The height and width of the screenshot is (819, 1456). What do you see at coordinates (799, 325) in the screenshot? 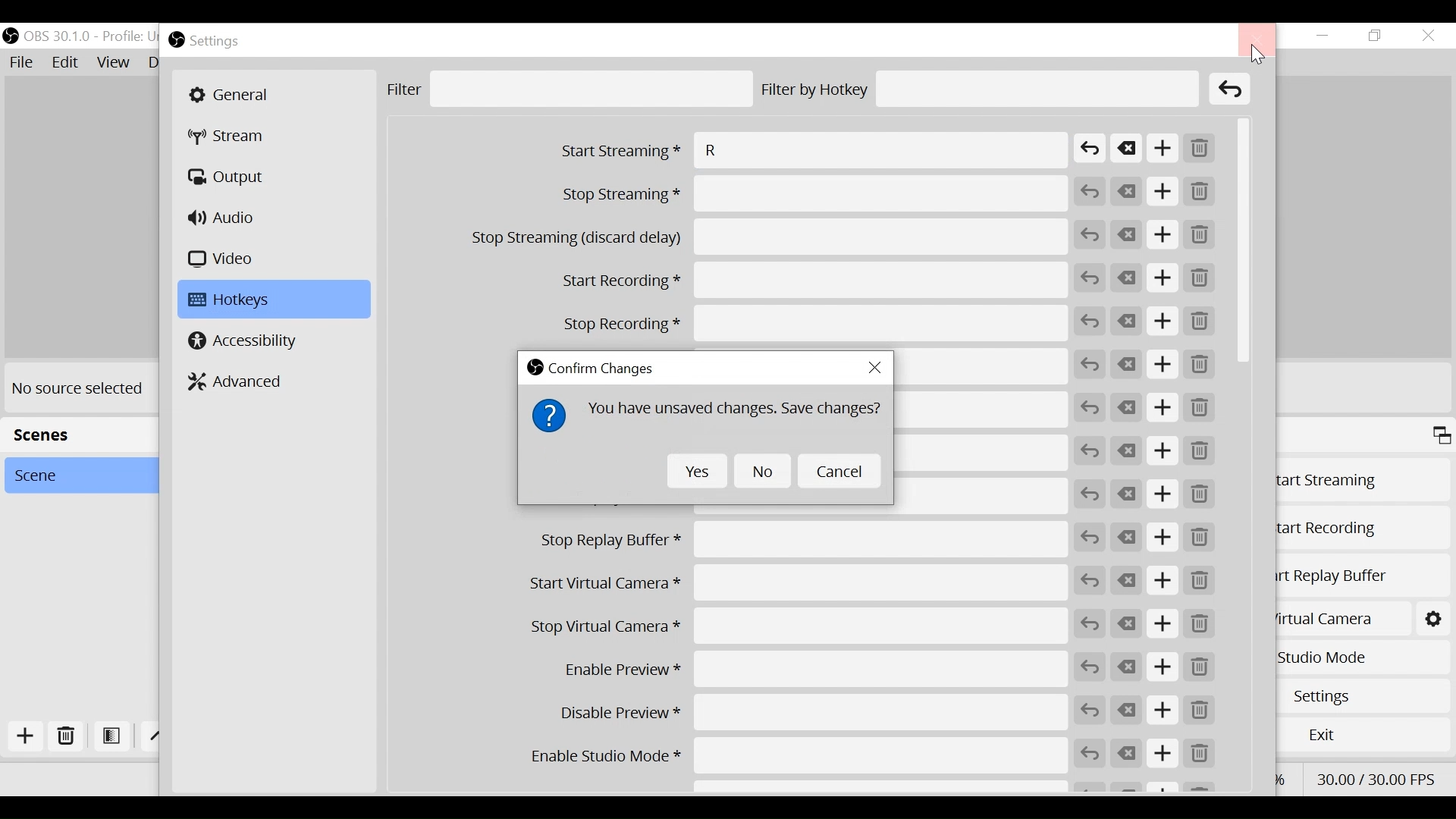
I see `Stop Recording` at bounding box center [799, 325].